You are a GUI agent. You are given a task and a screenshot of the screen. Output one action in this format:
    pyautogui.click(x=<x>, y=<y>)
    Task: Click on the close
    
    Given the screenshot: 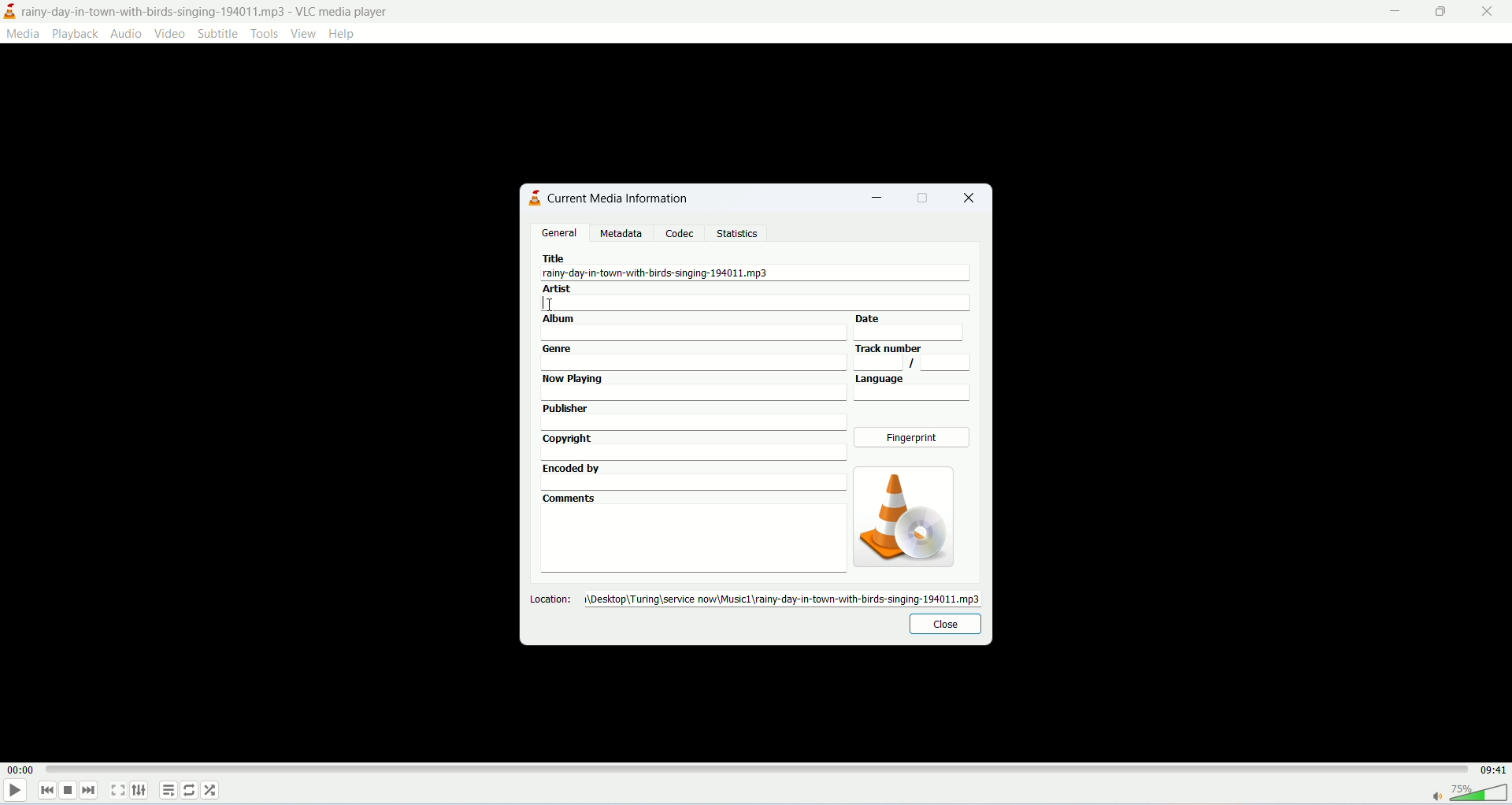 What is the action you would take?
    pyautogui.click(x=944, y=624)
    